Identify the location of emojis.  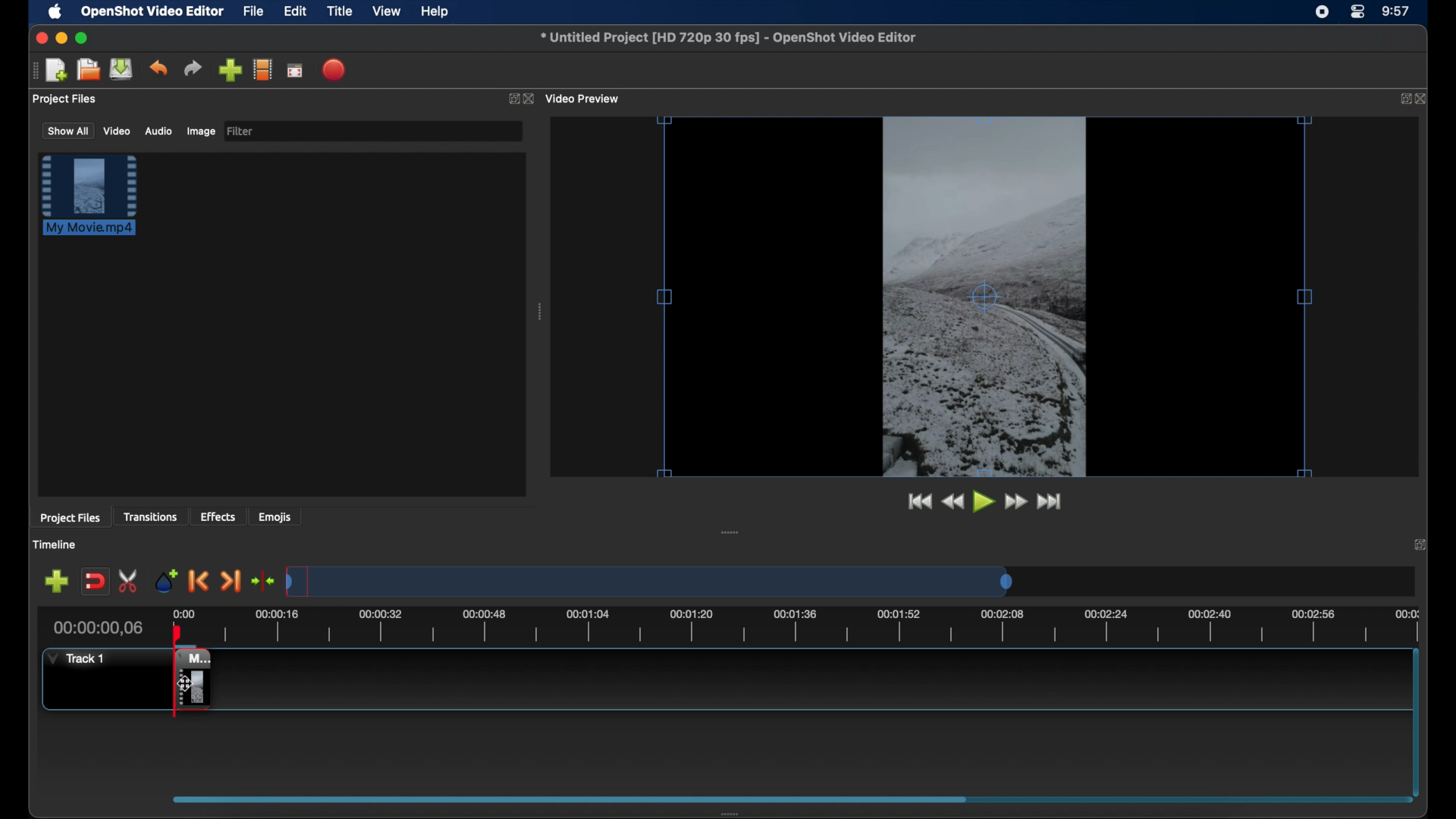
(275, 516).